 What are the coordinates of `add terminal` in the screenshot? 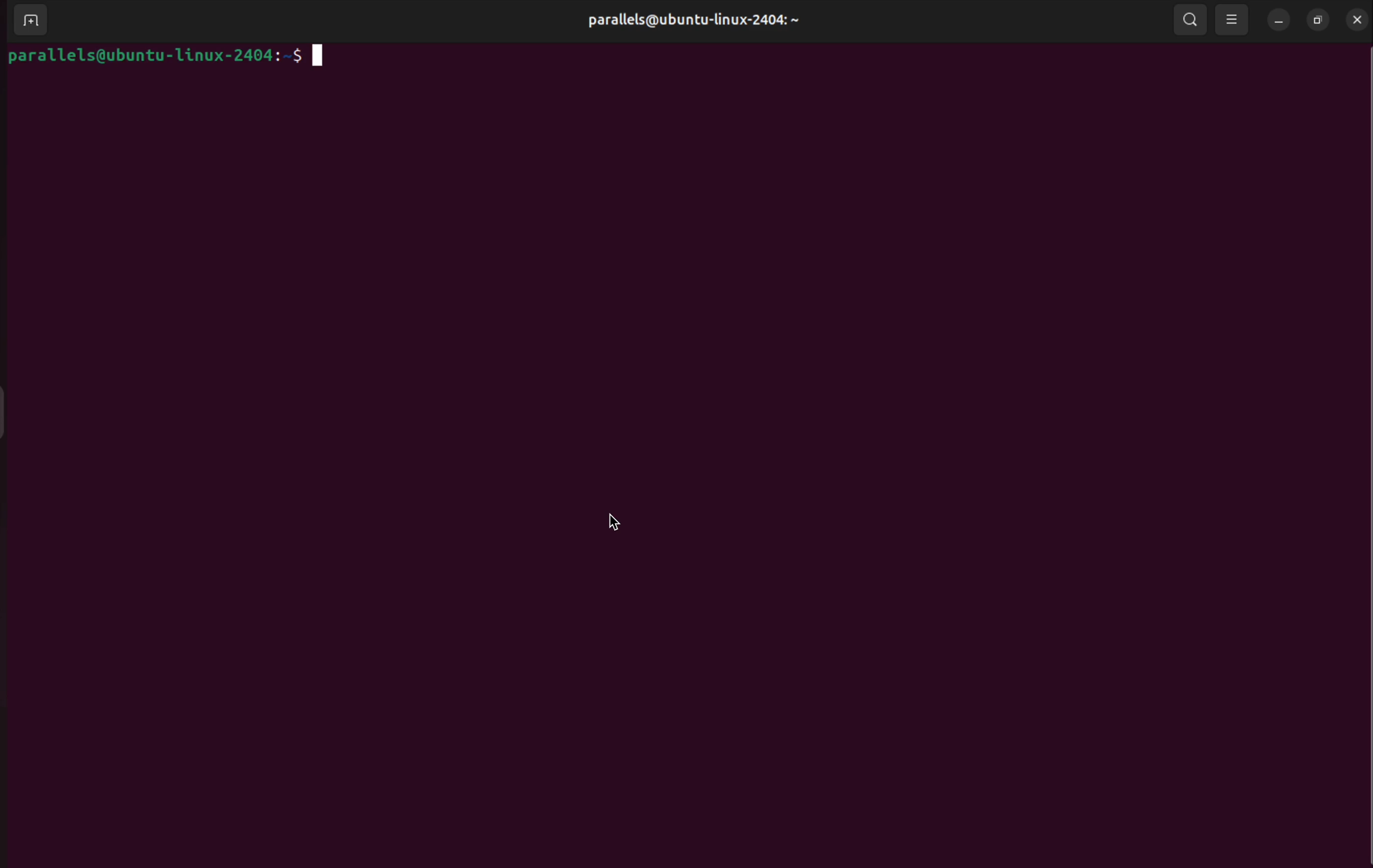 It's located at (30, 21).